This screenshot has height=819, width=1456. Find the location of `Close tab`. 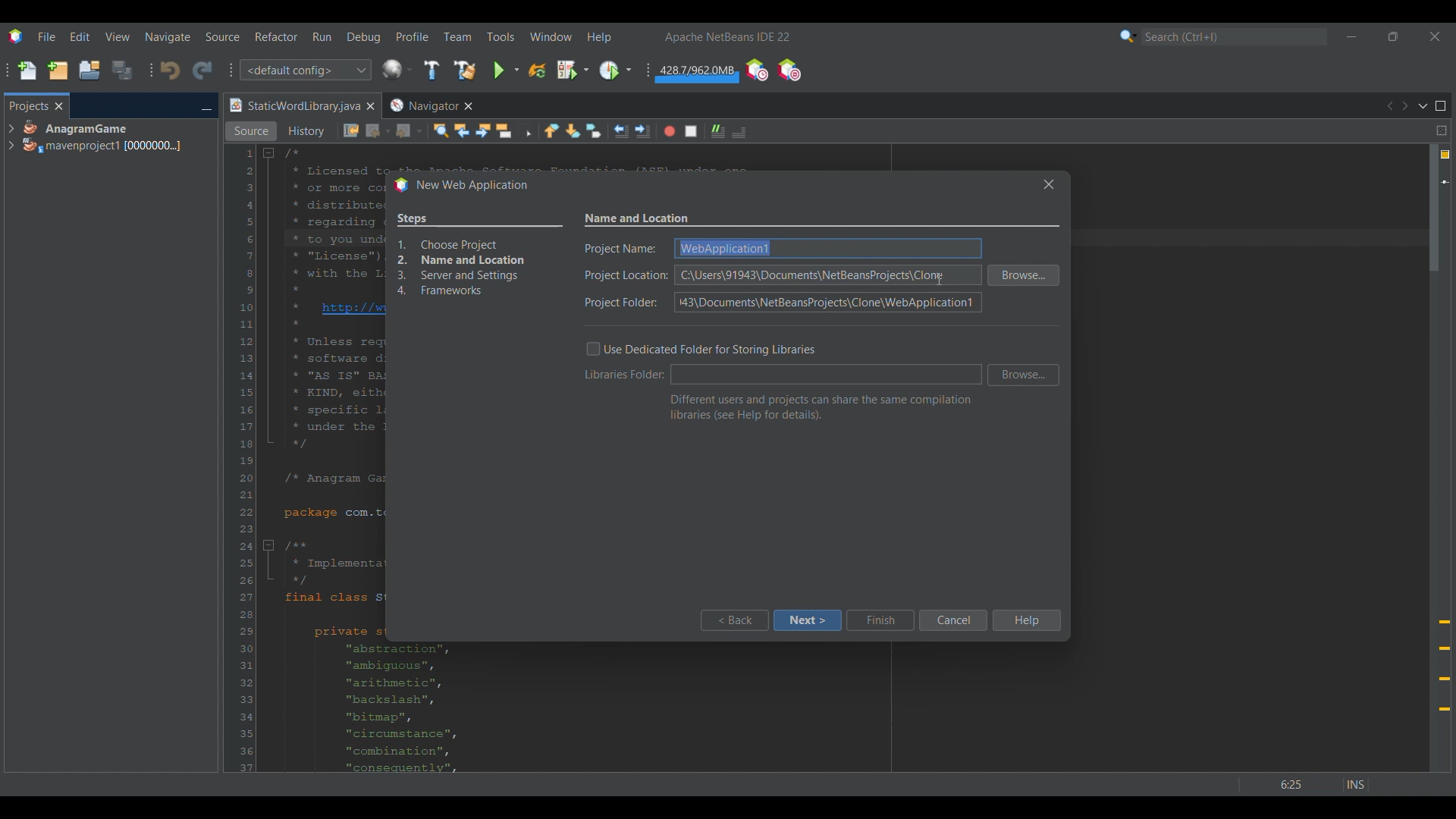

Close tab is located at coordinates (59, 106).